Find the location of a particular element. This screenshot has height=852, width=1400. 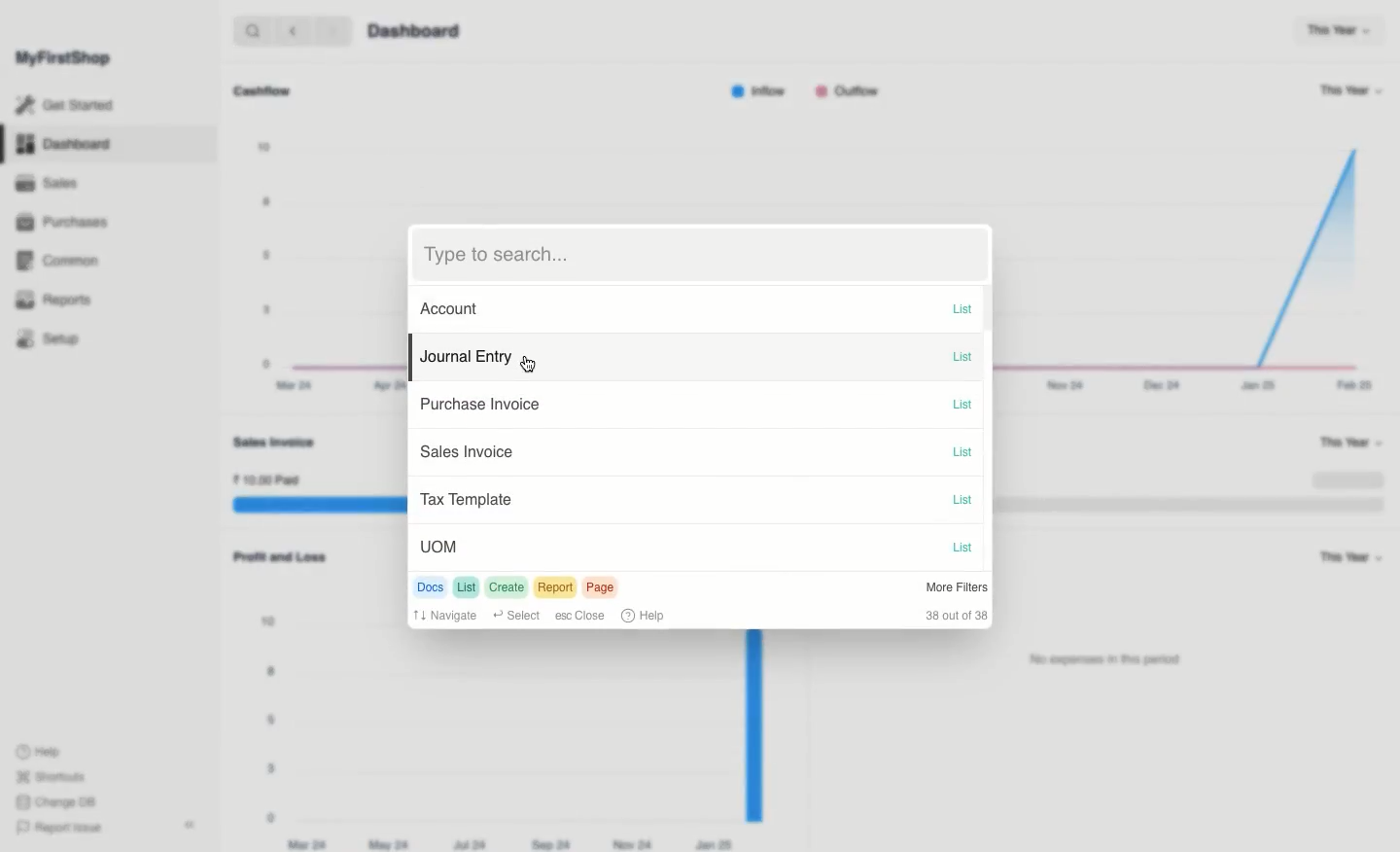

Sales is located at coordinates (48, 185).